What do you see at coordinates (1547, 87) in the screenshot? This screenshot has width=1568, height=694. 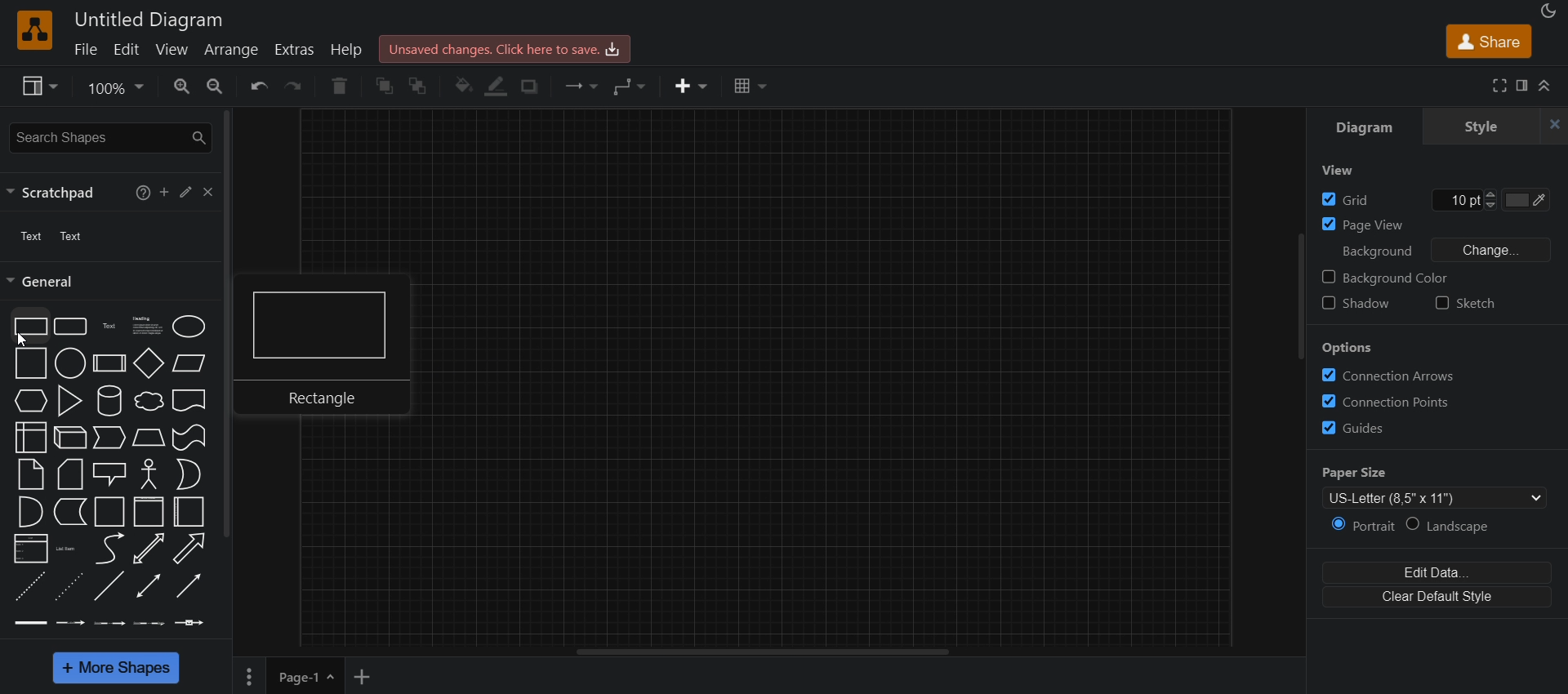 I see `expand/collapse` at bounding box center [1547, 87].